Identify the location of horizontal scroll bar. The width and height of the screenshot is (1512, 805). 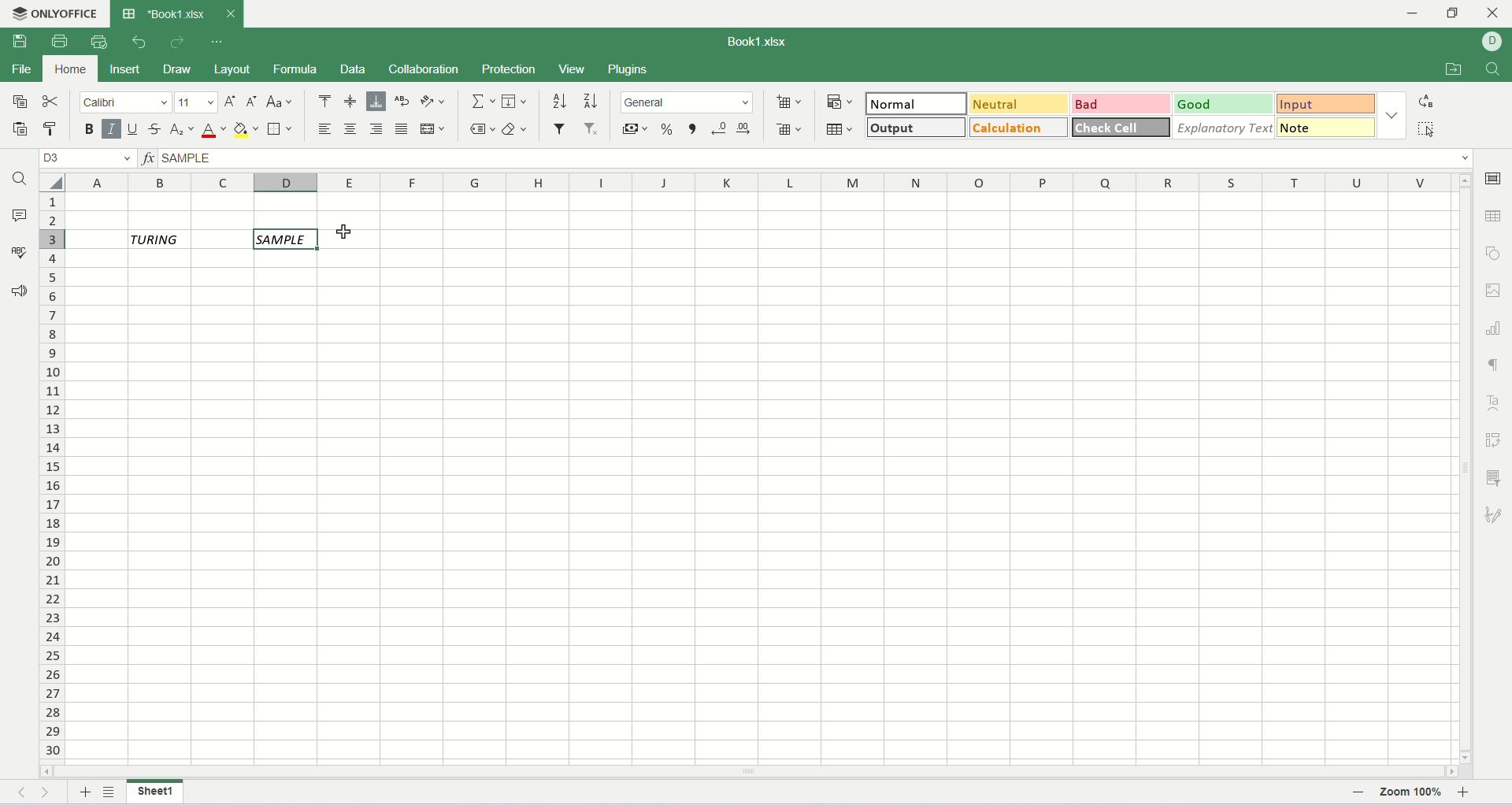
(748, 772).